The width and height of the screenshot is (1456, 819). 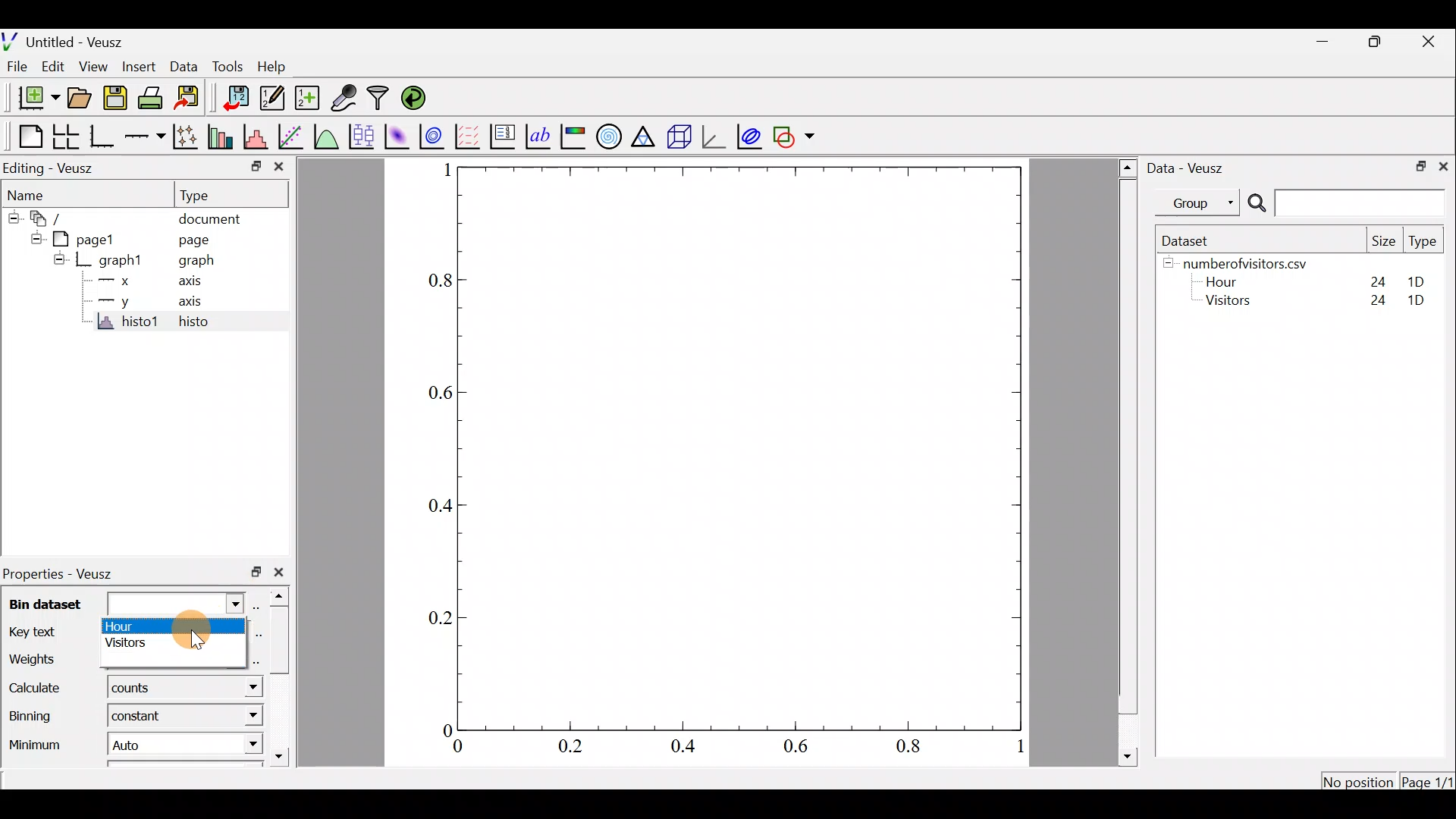 I want to click on hide sub menu, so click(x=55, y=262).